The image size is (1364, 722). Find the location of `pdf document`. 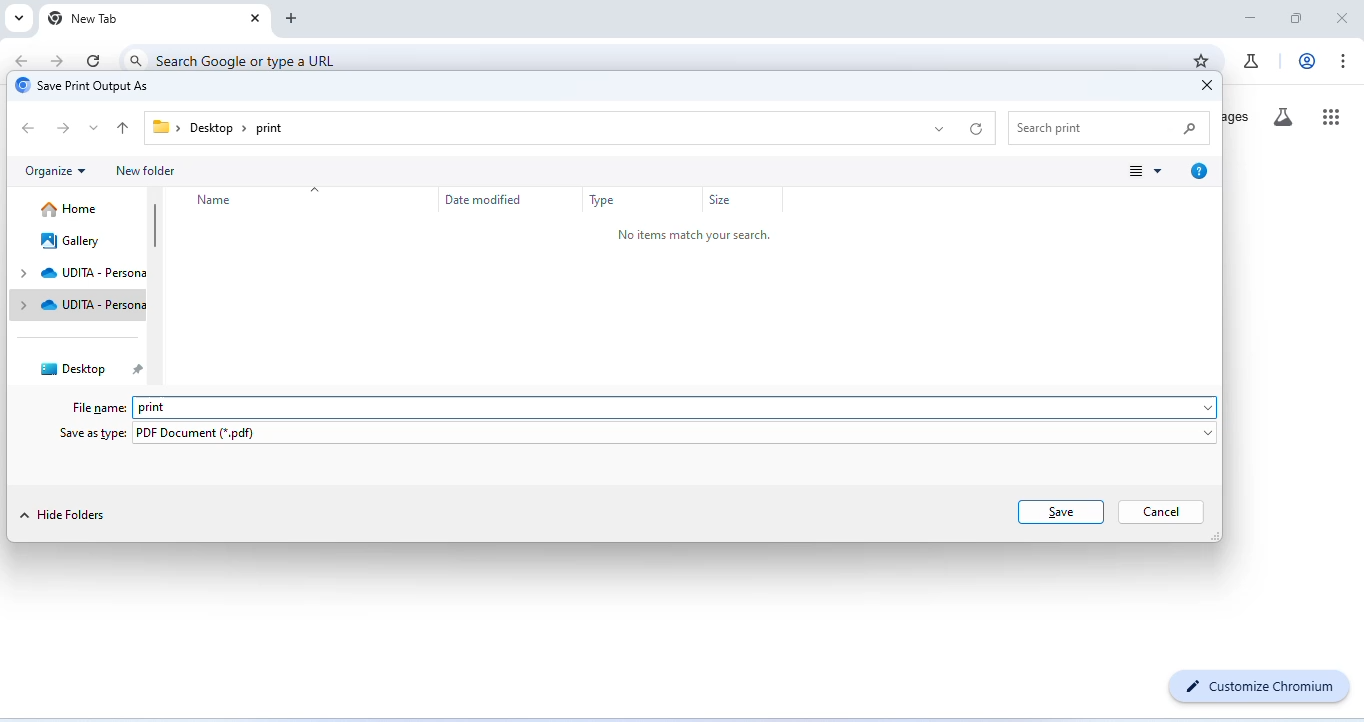

pdf document is located at coordinates (678, 435).